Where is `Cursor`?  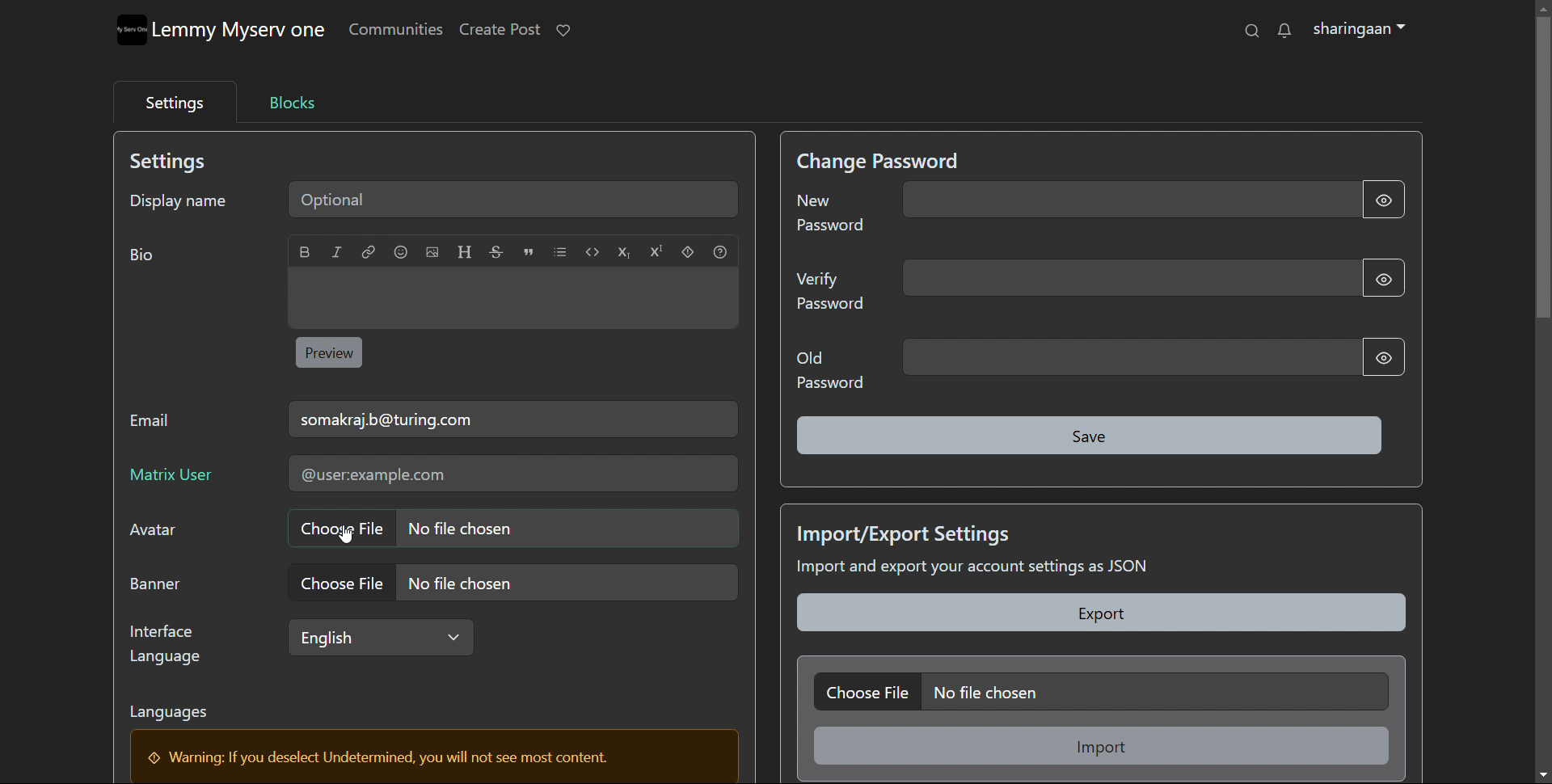 Cursor is located at coordinates (340, 533).